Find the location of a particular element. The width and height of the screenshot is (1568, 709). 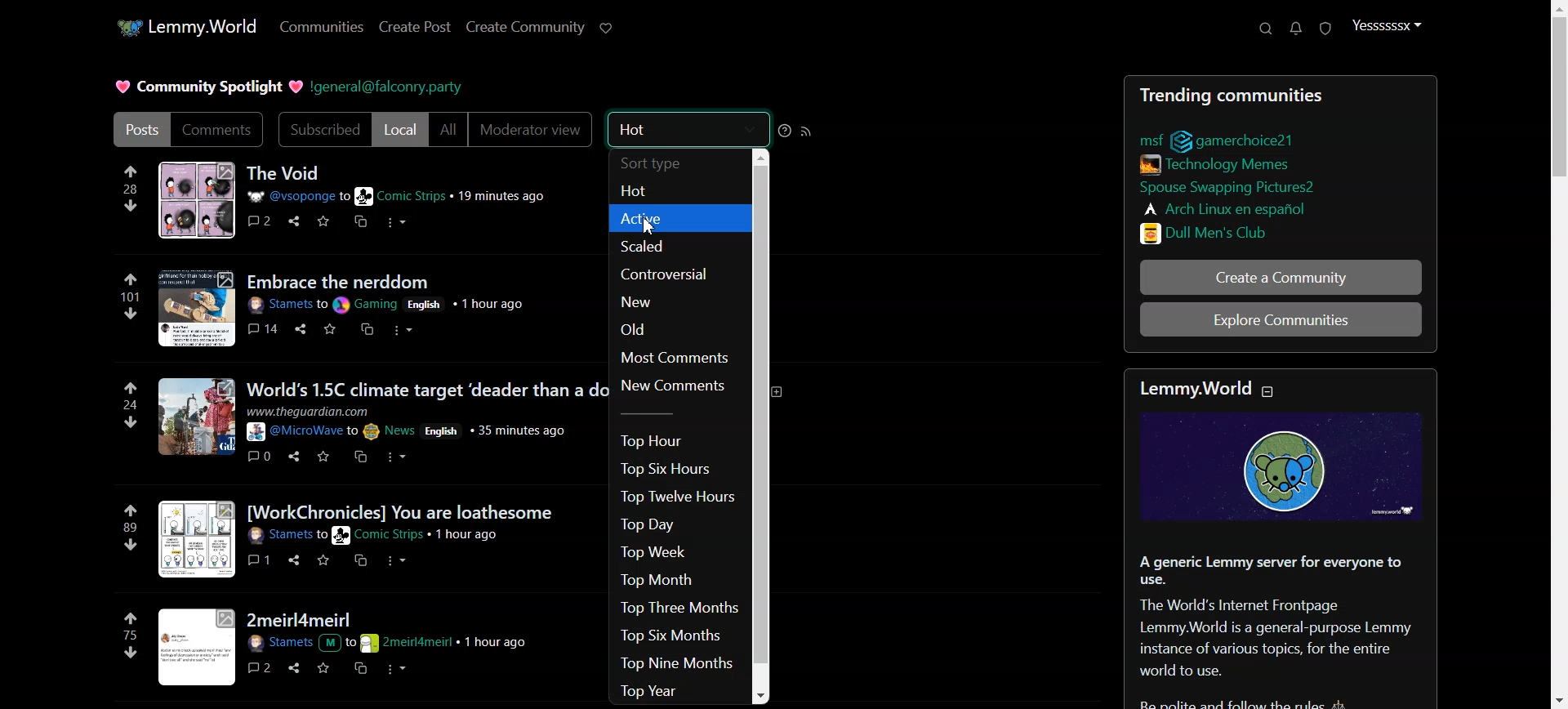

downvote is located at coordinates (129, 204).